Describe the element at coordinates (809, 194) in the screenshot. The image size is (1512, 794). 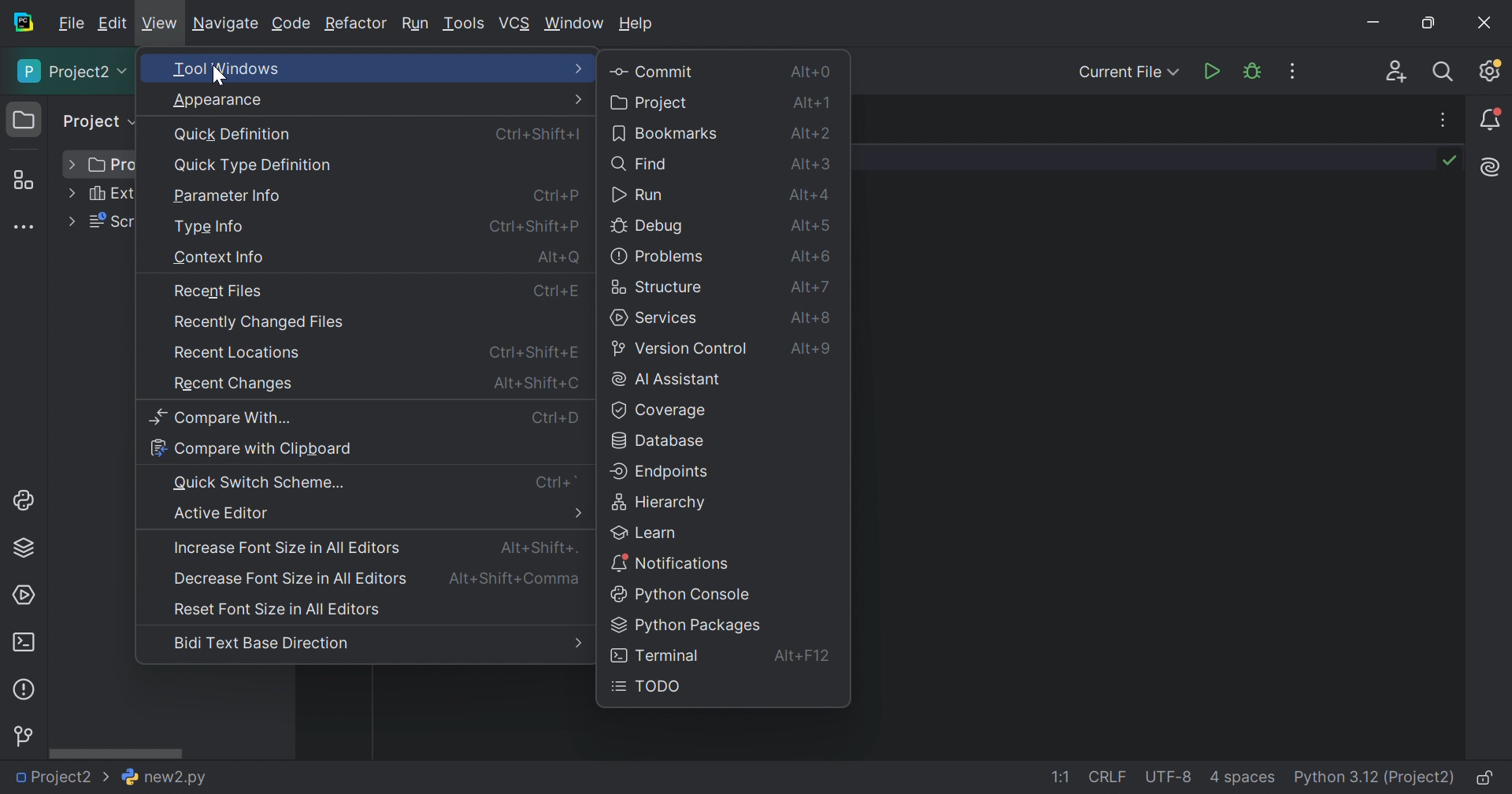
I see `Alt+4` at that location.